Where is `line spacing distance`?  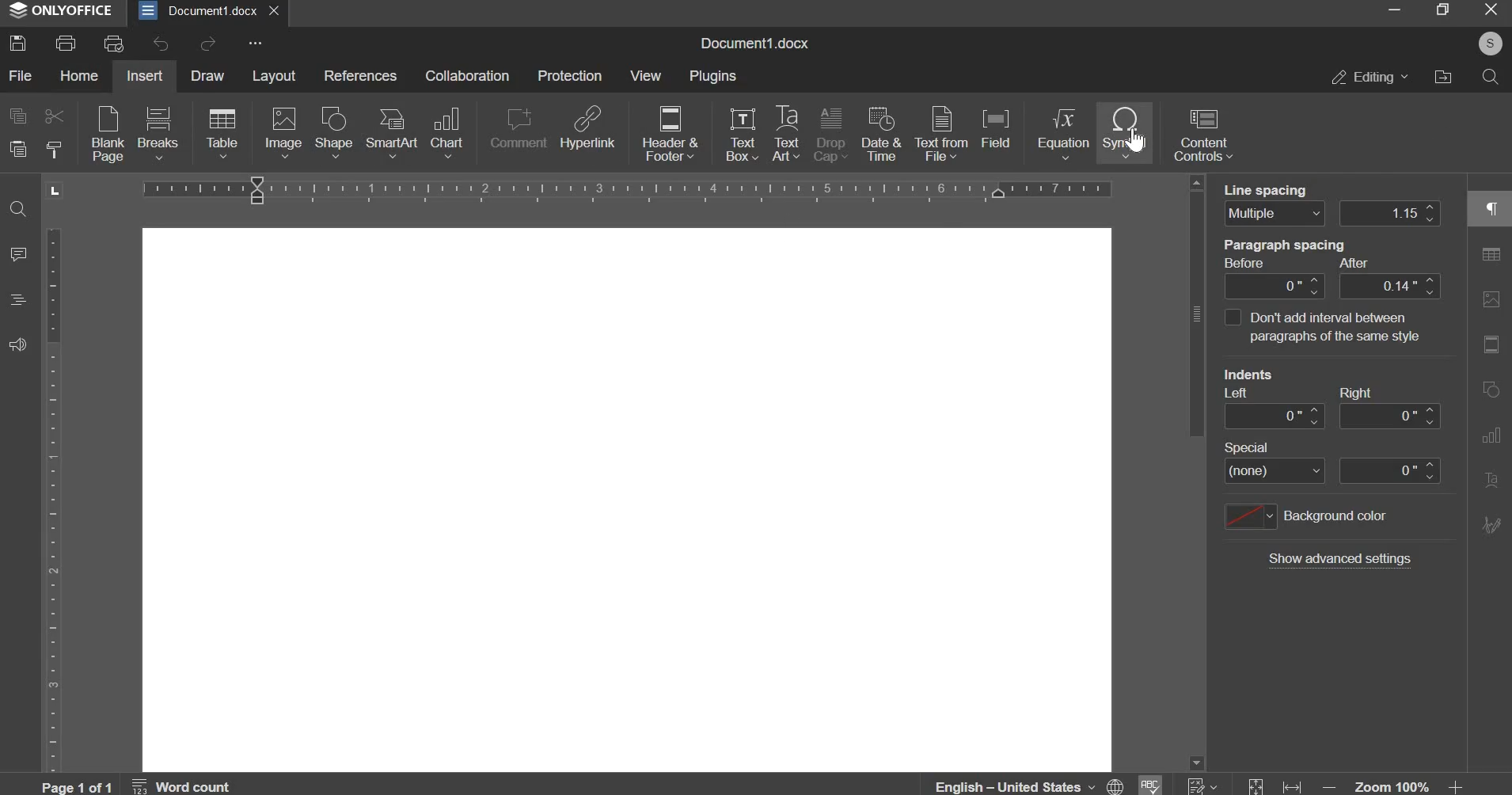 line spacing distance is located at coordinates (1390, 213).